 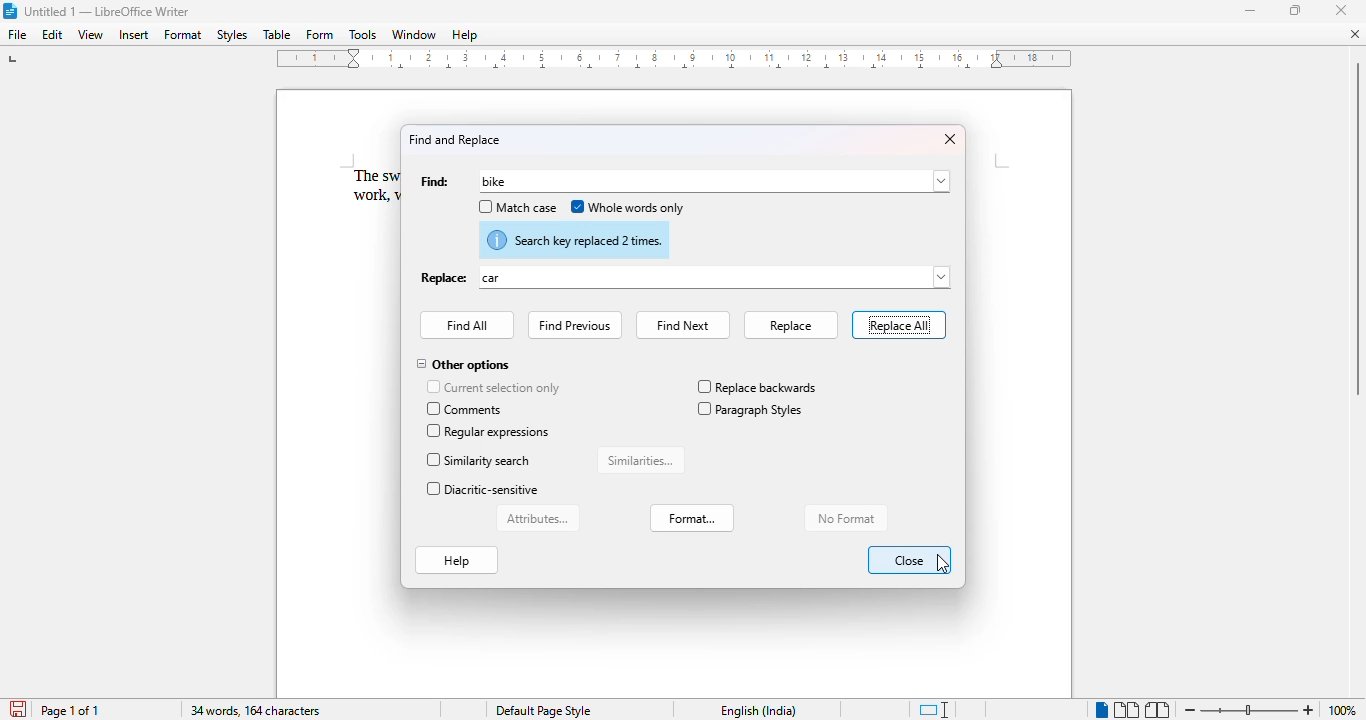 I want to click on cursor, so click(x=773, y=209).